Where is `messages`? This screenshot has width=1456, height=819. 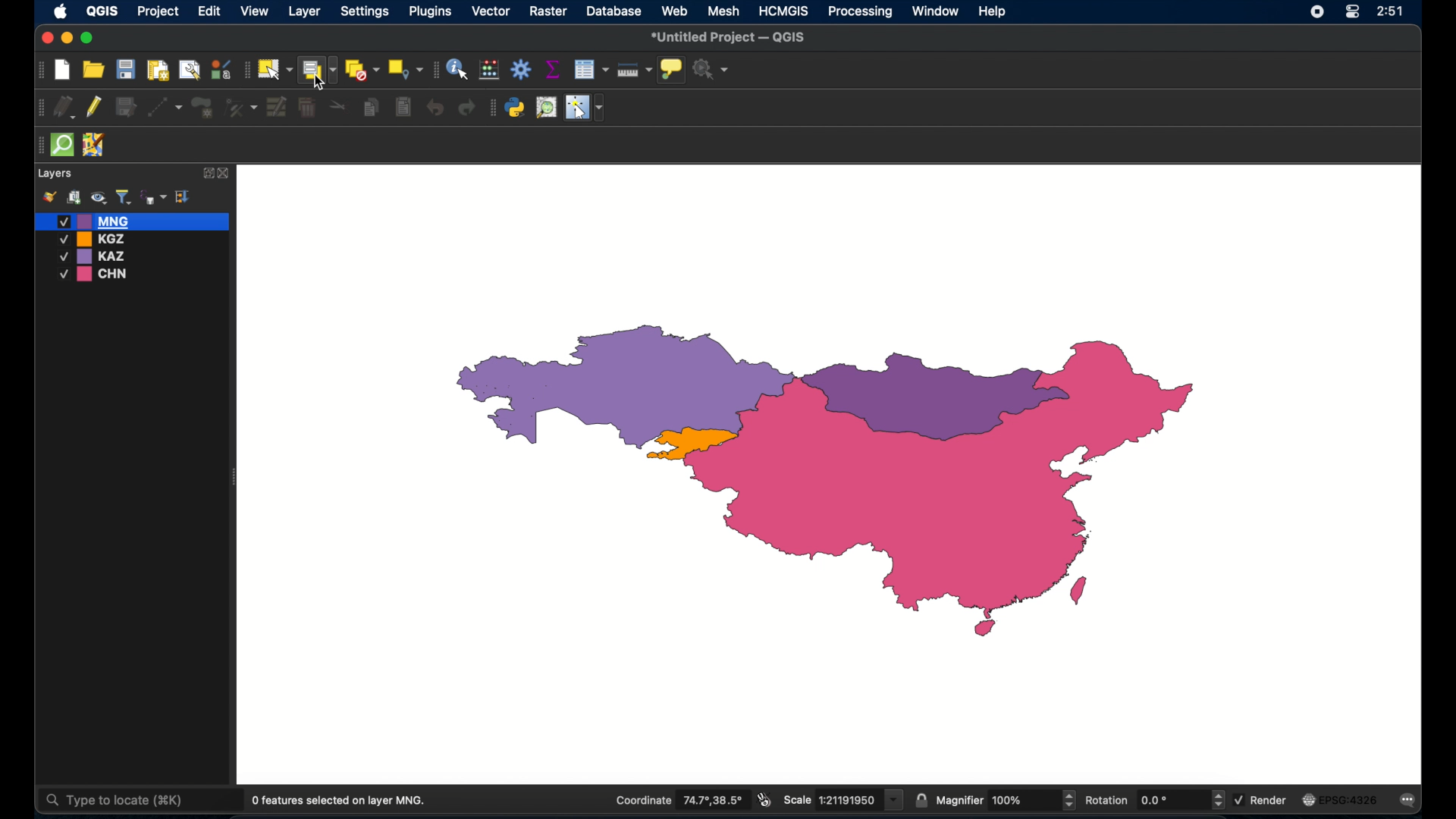
messages is located at coordinates (1410, 801).